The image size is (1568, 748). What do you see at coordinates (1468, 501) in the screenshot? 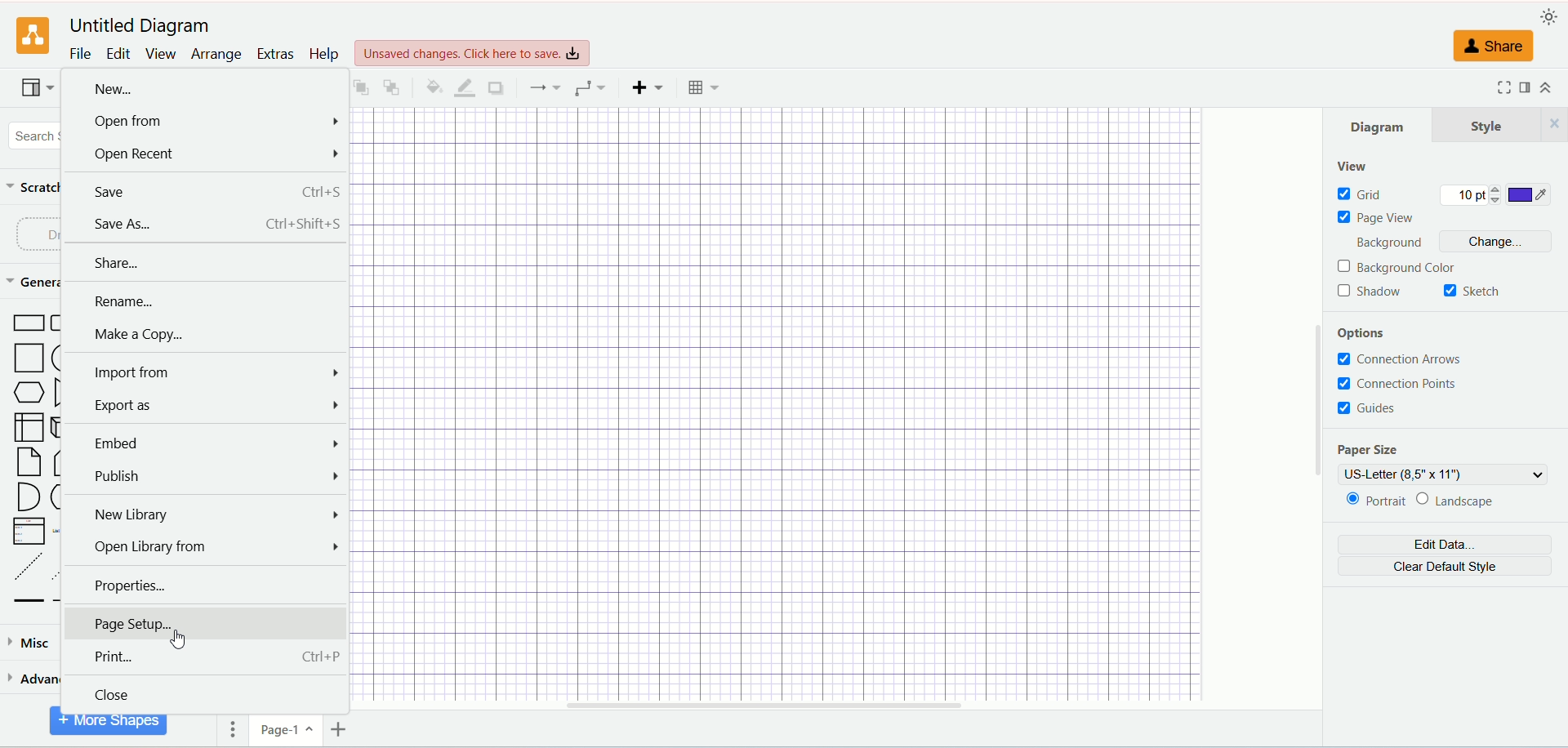
I see `landscape` at bounding box center [1468, 501].